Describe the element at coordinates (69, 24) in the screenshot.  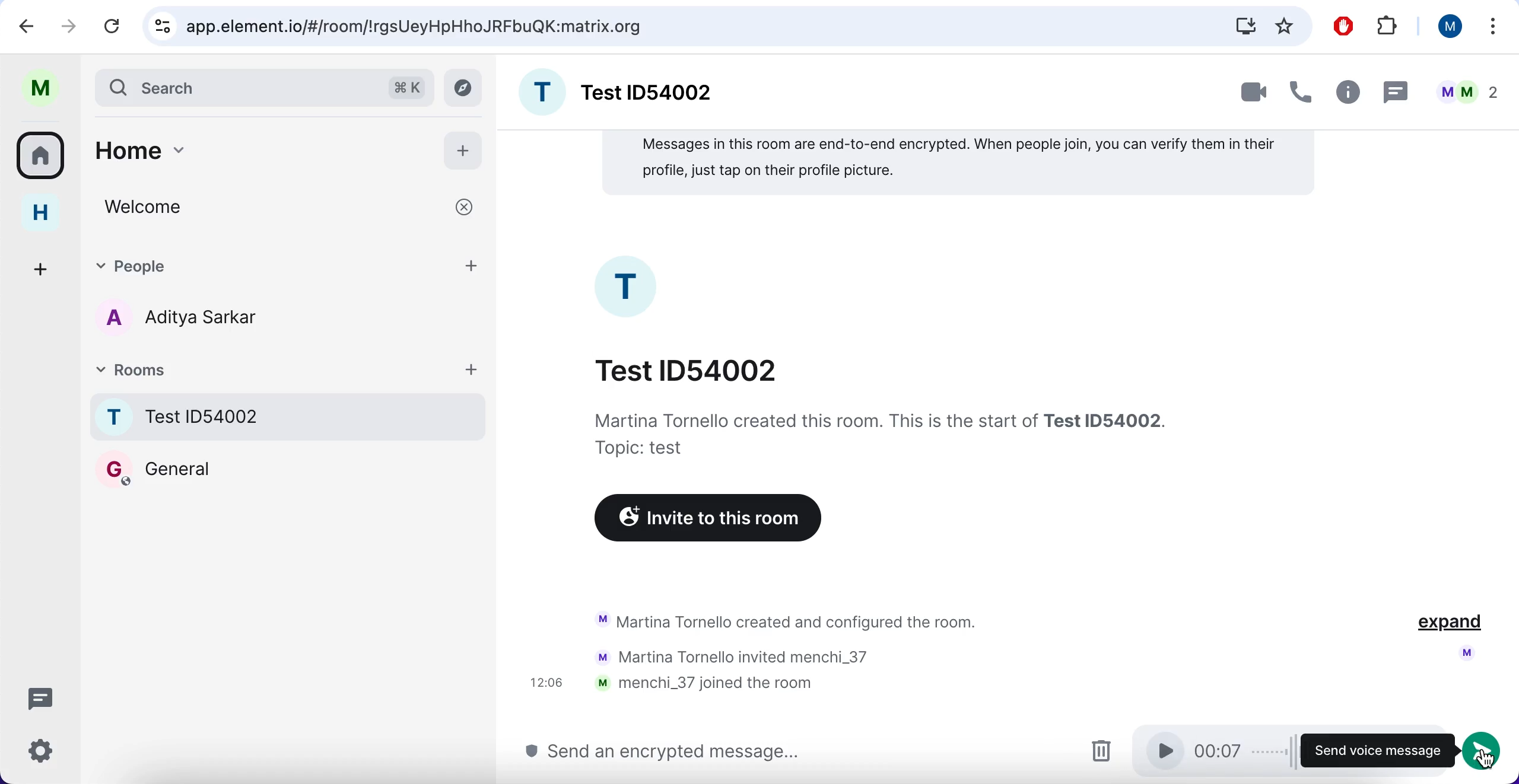
I see `forward` at that location.